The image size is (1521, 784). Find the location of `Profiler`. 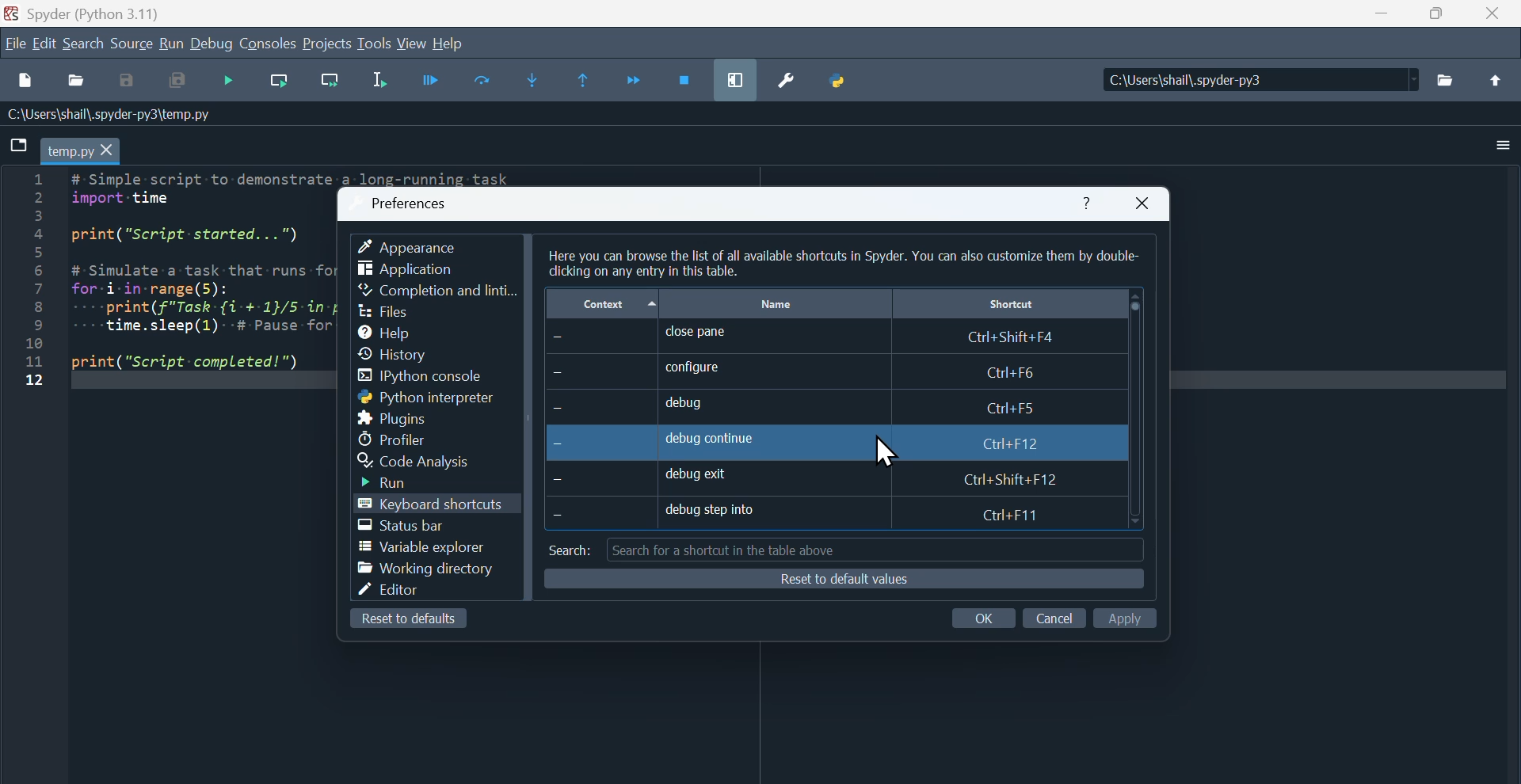

Profiler is located at coordinates (398, 438).